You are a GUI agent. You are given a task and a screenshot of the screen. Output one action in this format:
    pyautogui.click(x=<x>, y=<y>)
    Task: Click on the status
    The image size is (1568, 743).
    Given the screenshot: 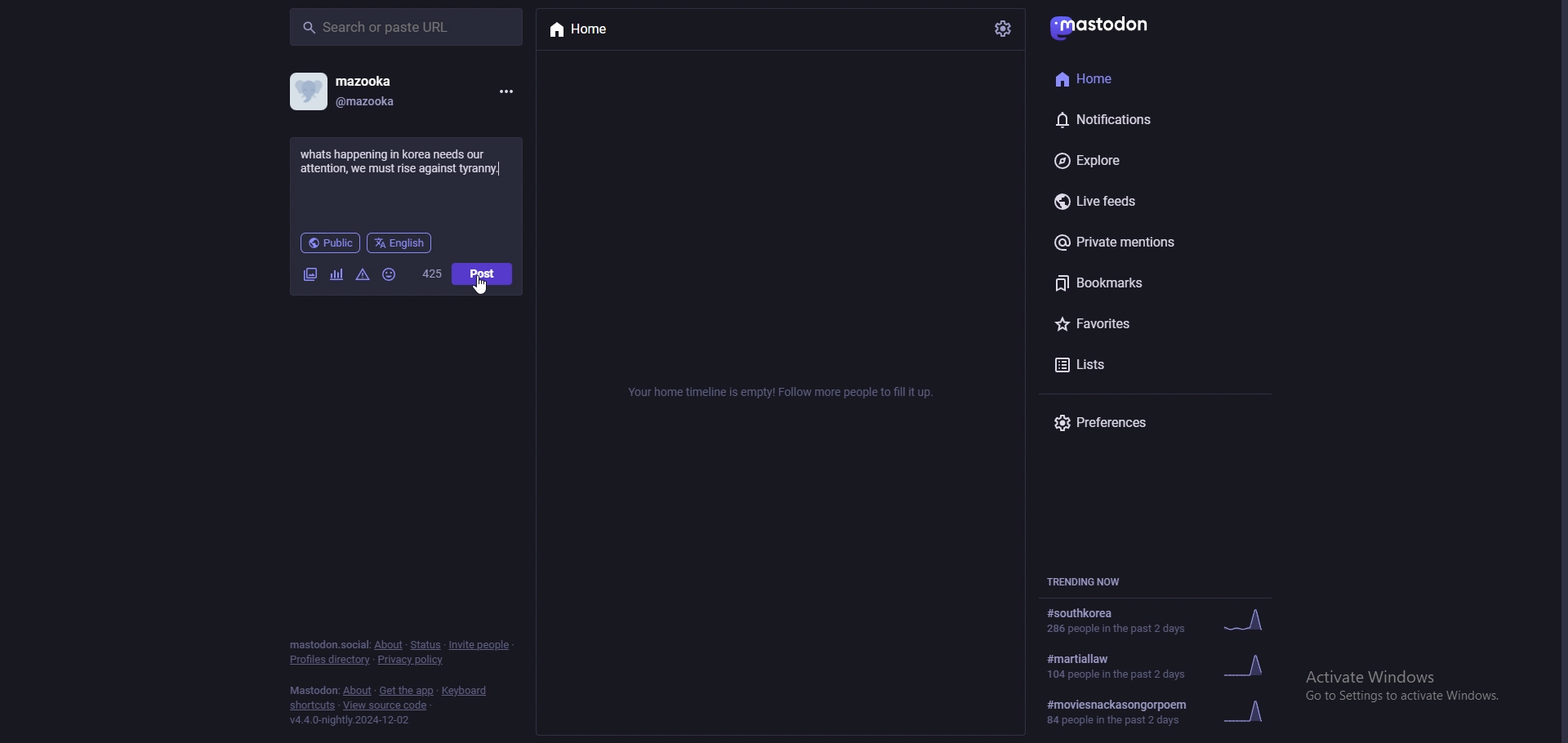 What is the action you would take?
    pyautogui.click(x=424, y=646)
    